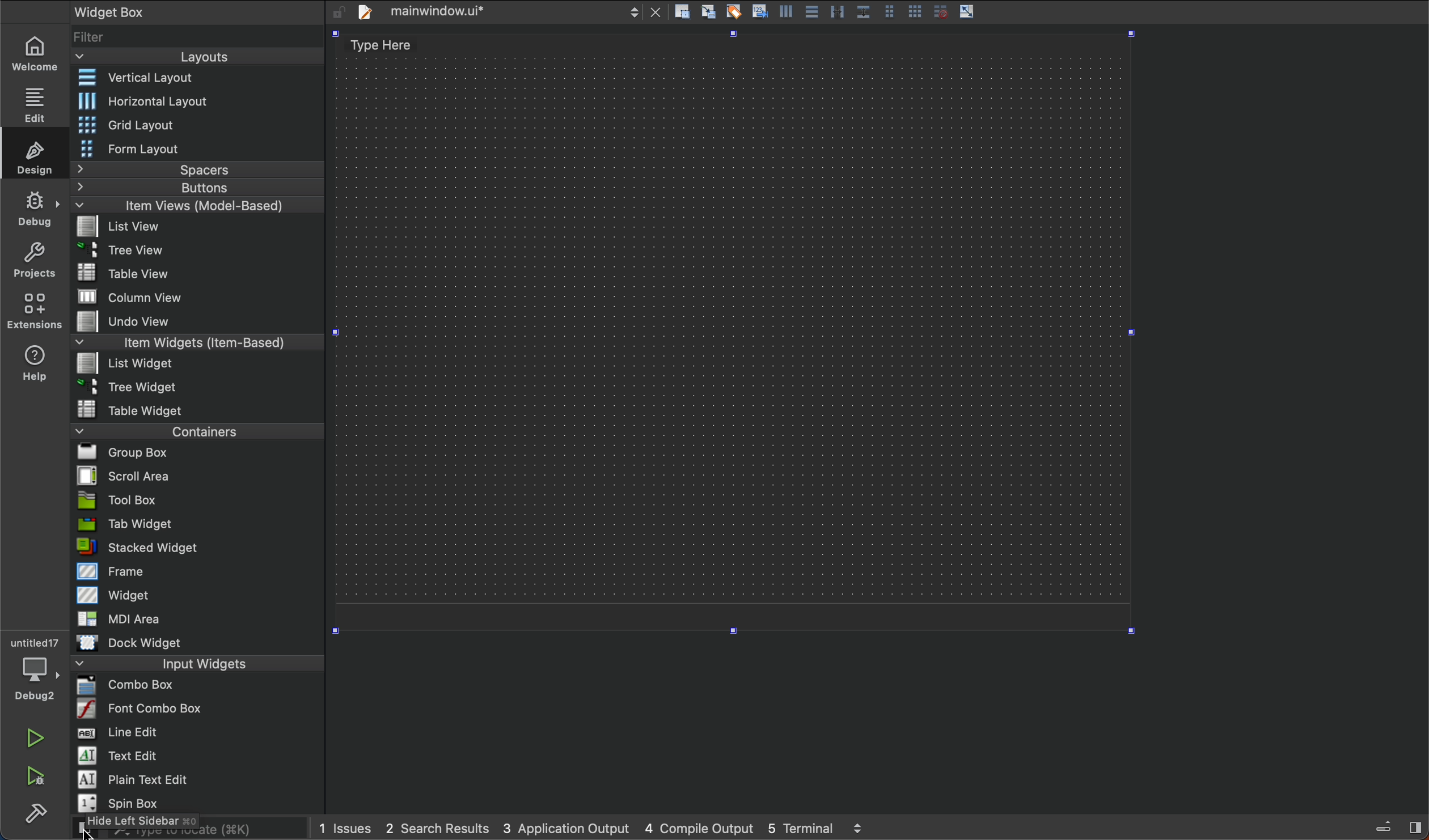  Describe the element at coordinates (121, 596) in the screenshot. I see `Widget` at that location.